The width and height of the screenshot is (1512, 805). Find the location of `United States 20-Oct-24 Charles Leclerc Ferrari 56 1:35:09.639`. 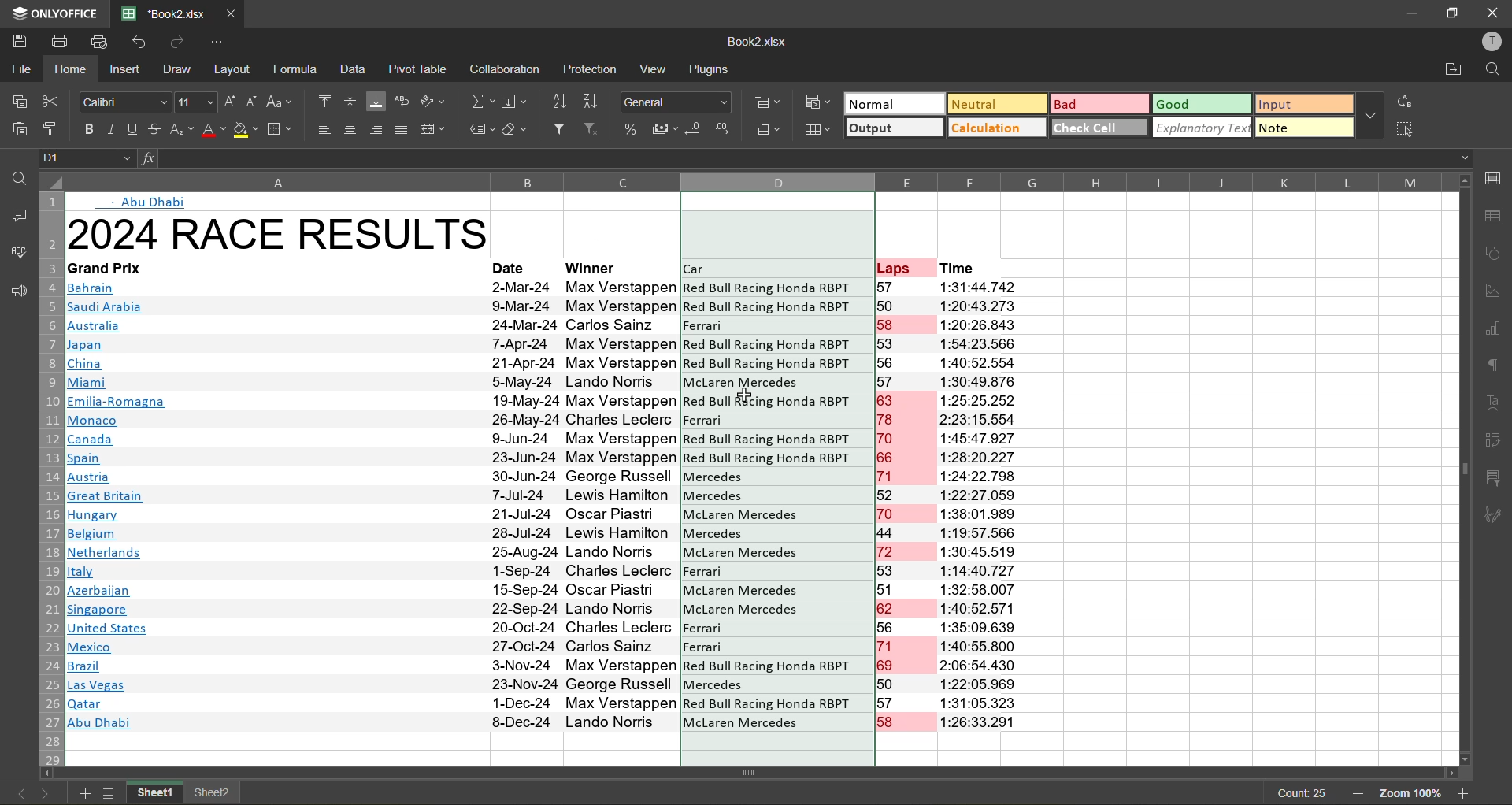

United States 20-Oct-24 Charles Leclerc Ferrari 56 1:35:09.639 is located at coordinates (549, 627).